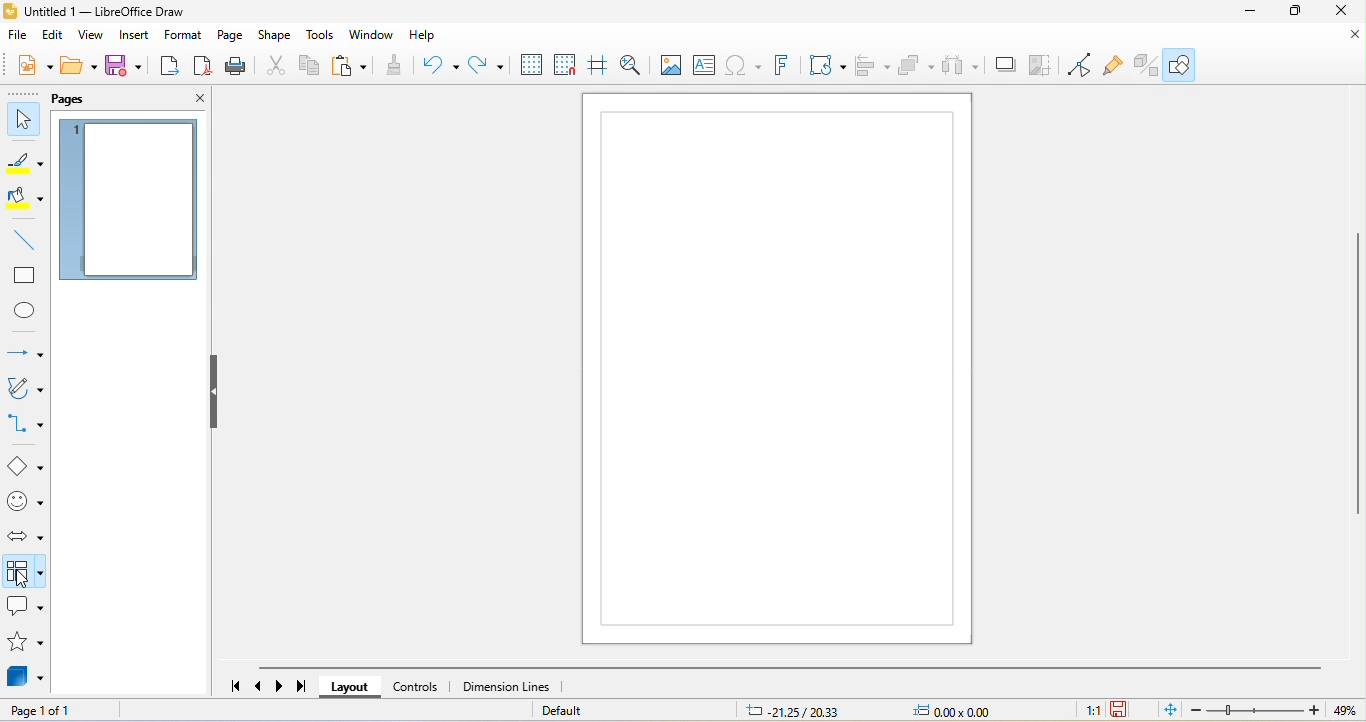 Image resolution: width=1366 pixels, height=722 pixels. Describe the element at coordinates (441, 66) in the screenshot. I see `undo` at that location.